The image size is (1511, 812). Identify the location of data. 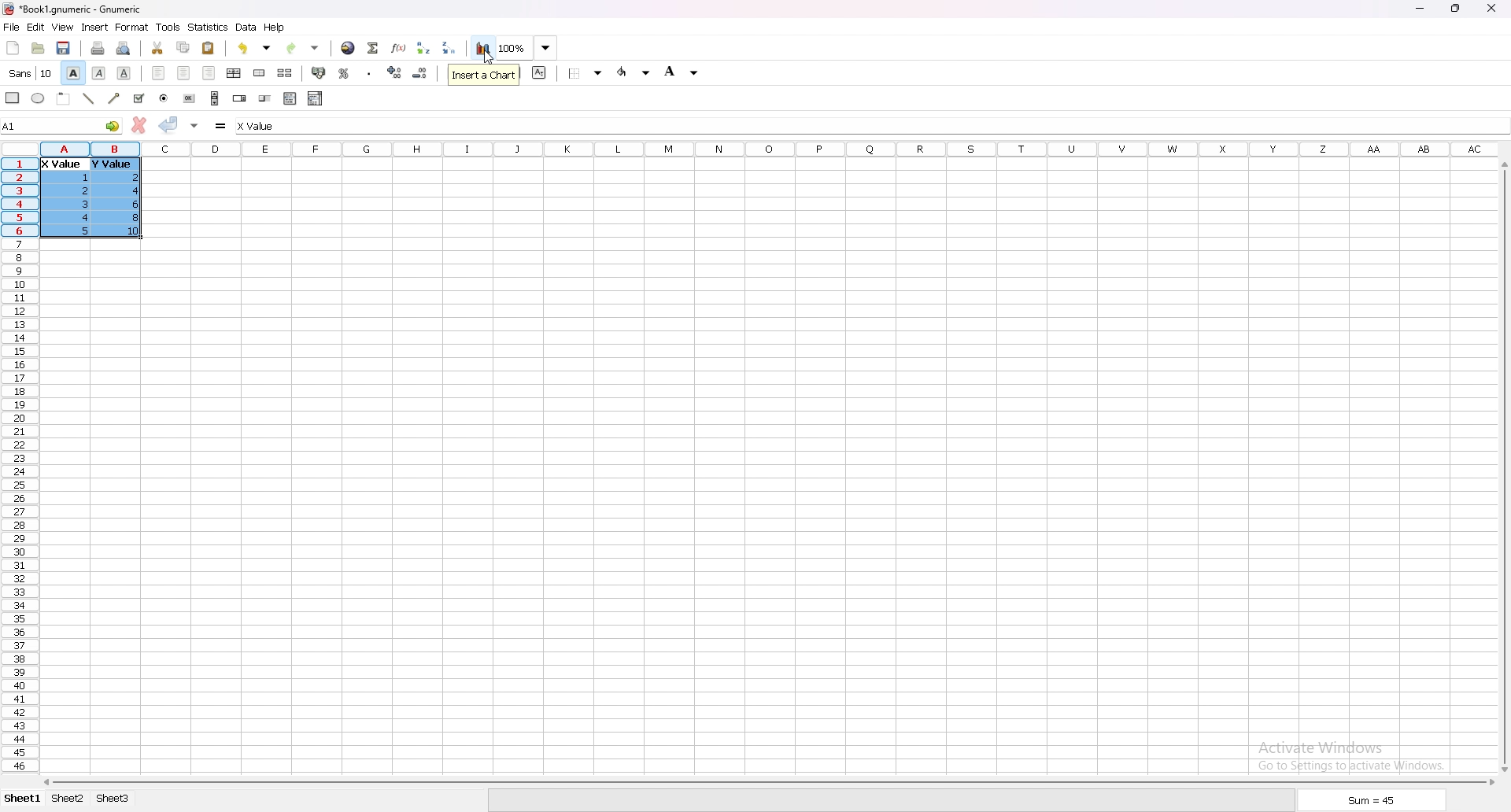
(94, 196).